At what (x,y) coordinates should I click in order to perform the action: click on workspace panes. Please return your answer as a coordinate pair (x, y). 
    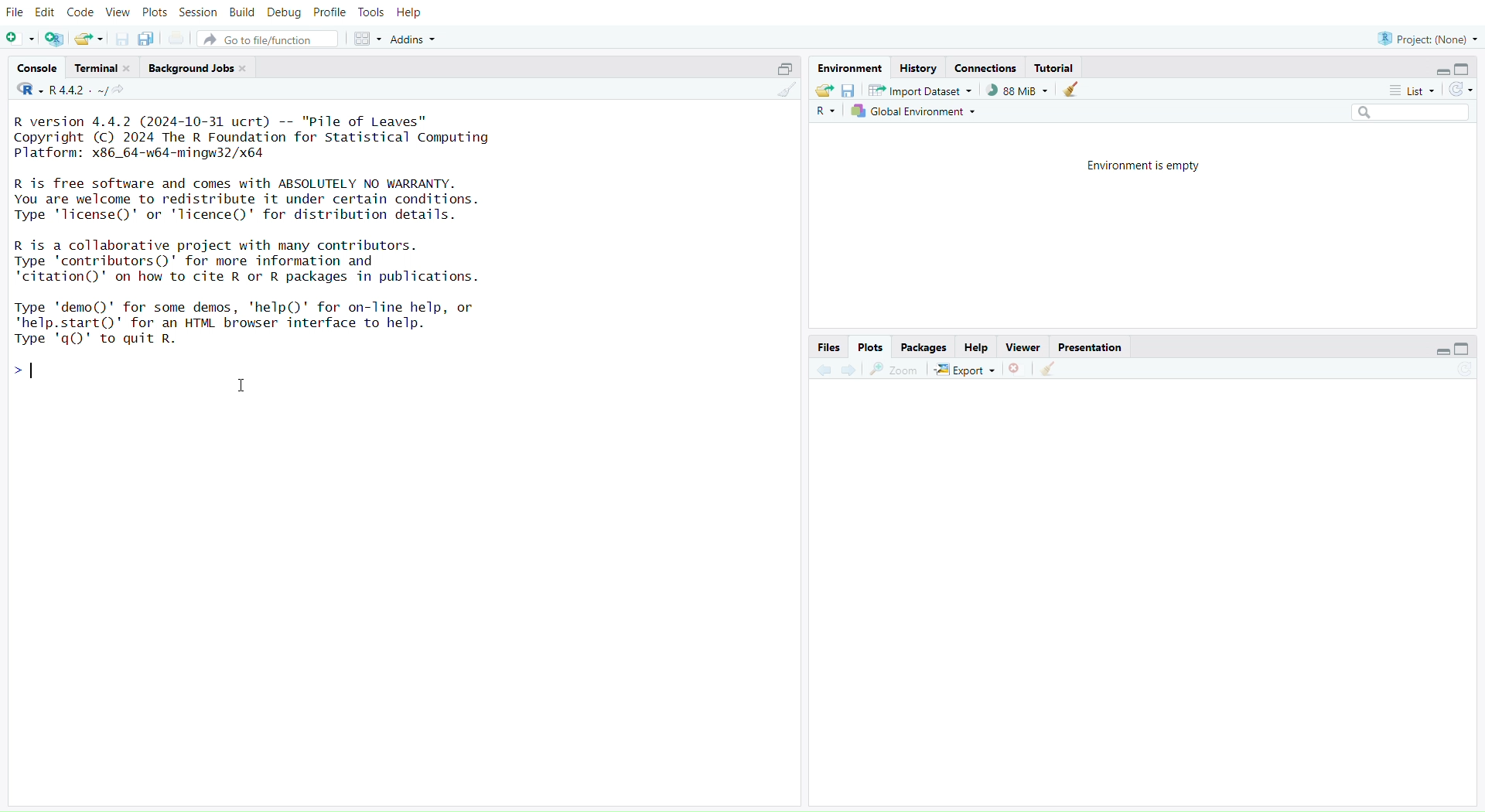
    Looking at the image, I should click on (367, 40).